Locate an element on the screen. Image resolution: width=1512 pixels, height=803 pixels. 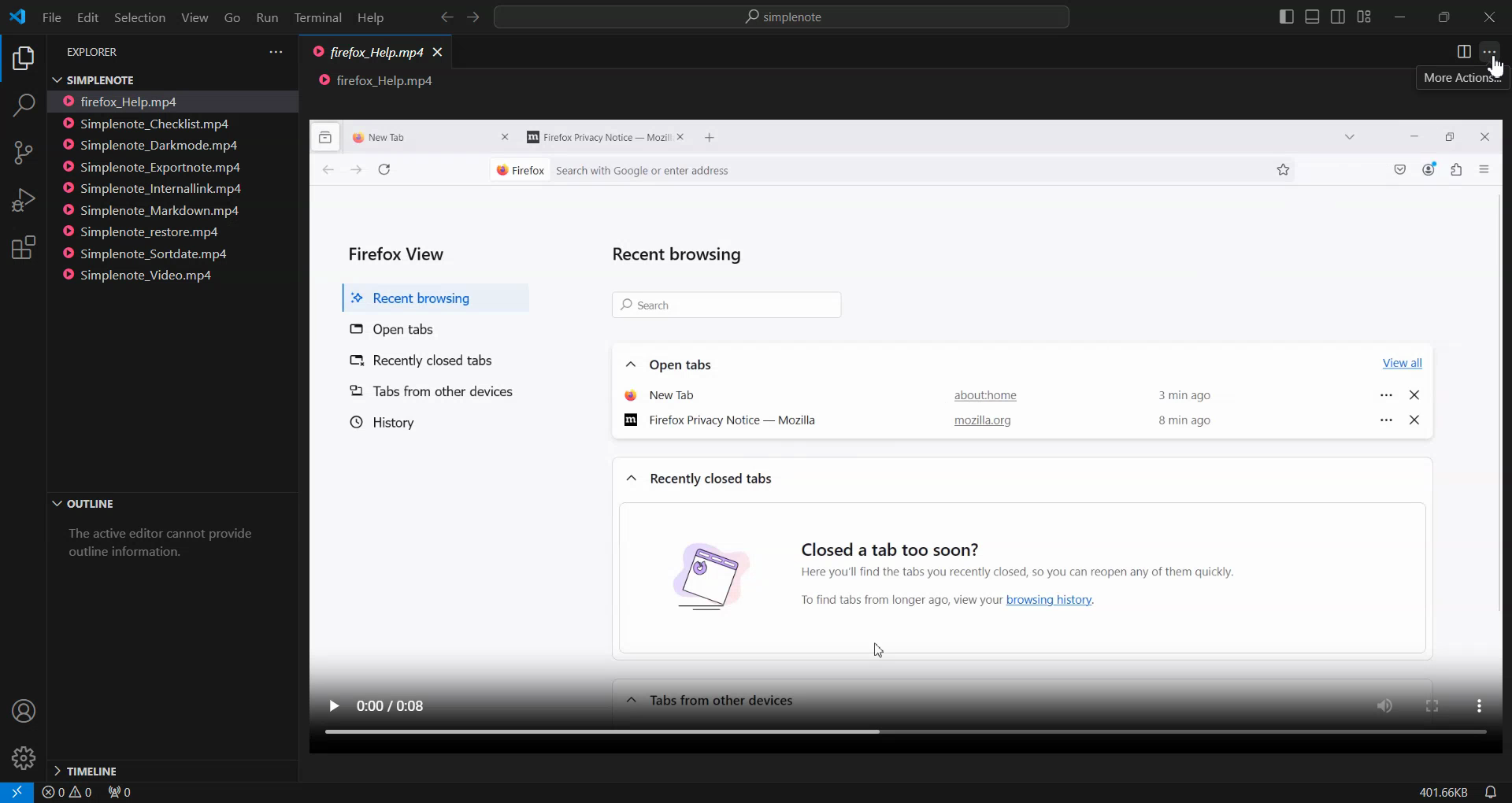
View and more actions is located at coordinates (276, 52).